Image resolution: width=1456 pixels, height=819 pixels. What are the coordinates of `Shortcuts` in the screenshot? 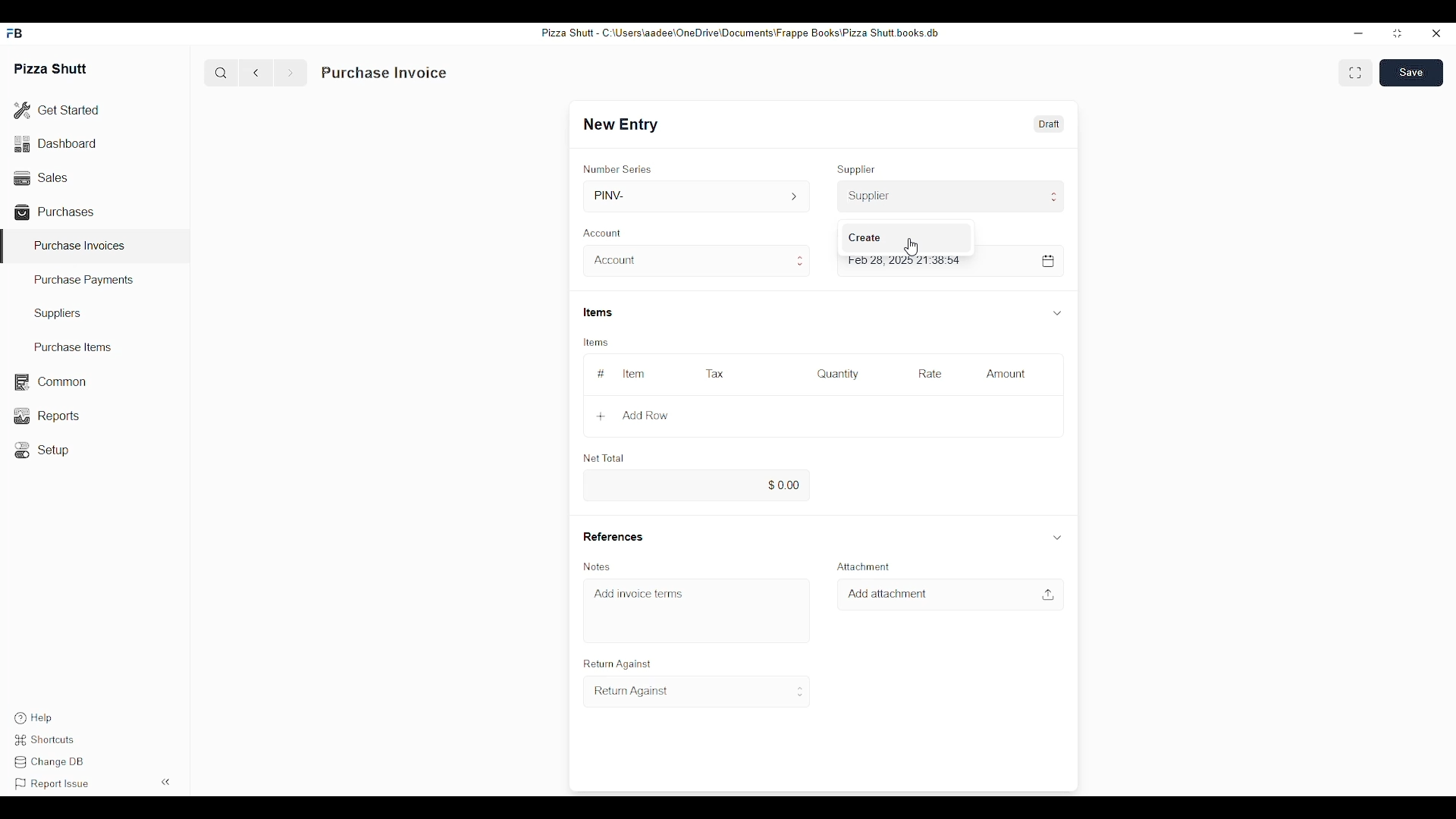 It's located at (48, 740).